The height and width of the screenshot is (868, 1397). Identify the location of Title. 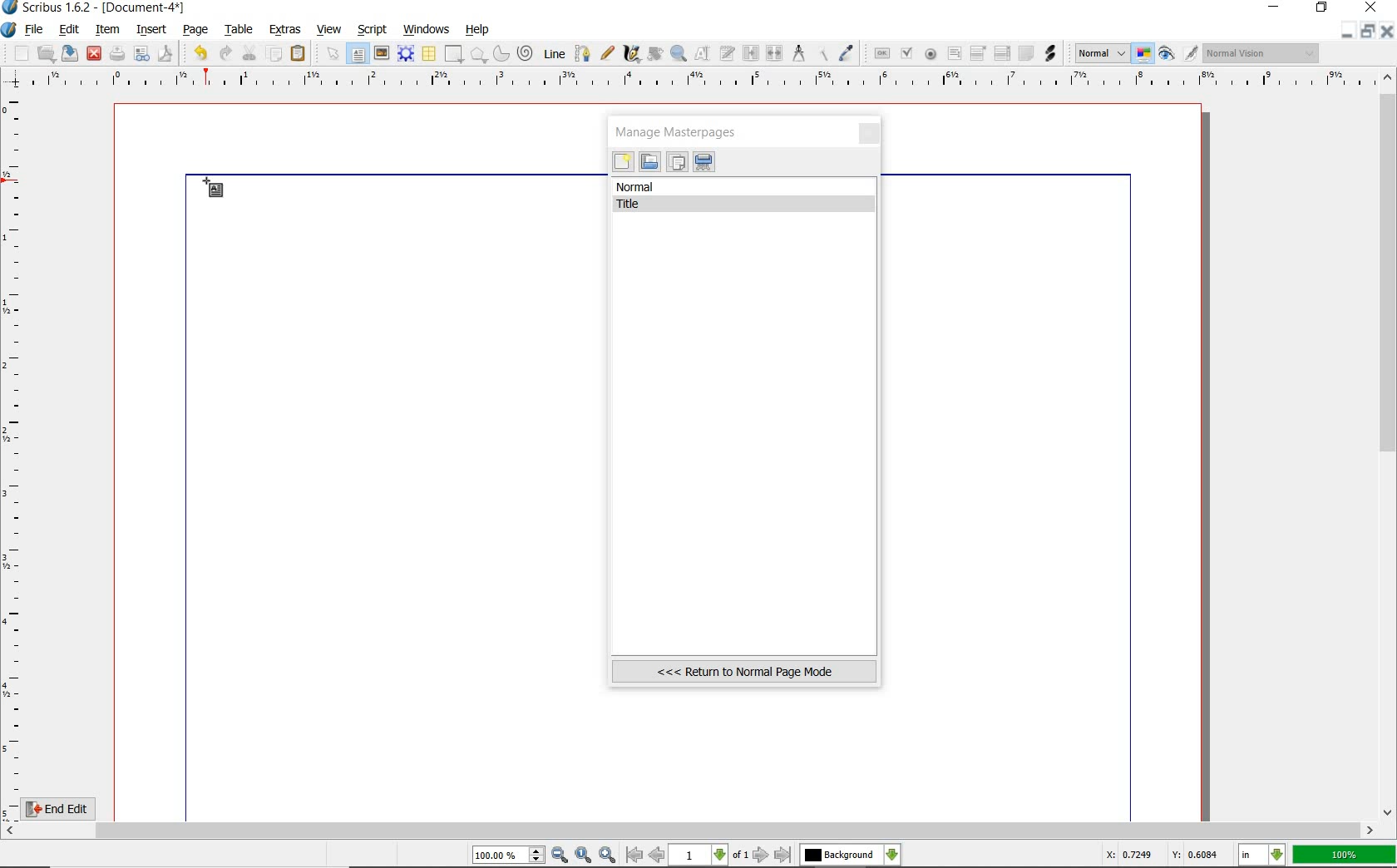
(747, 205).